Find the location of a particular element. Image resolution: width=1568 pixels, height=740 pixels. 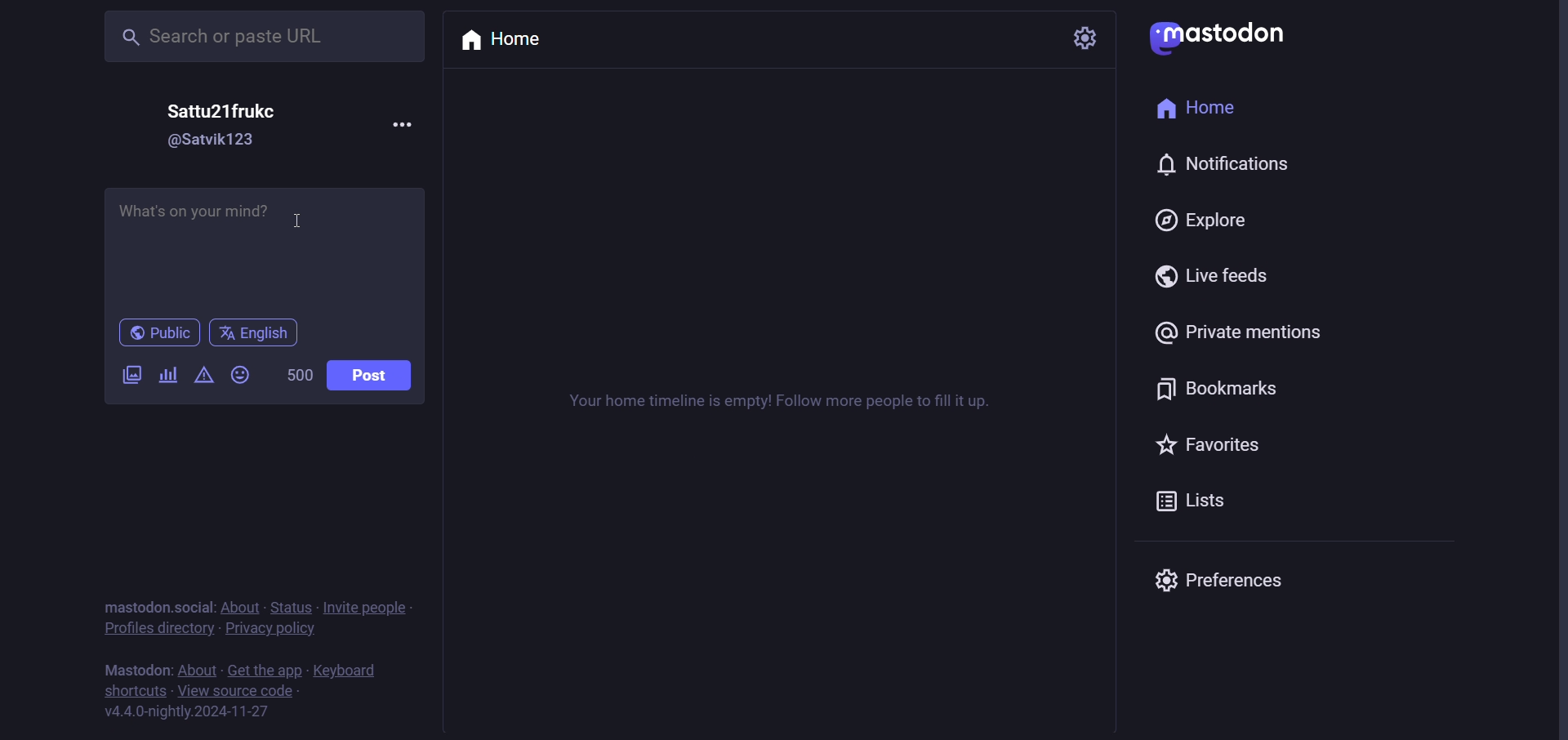

mastodon is located at coordinates (1220, 40).